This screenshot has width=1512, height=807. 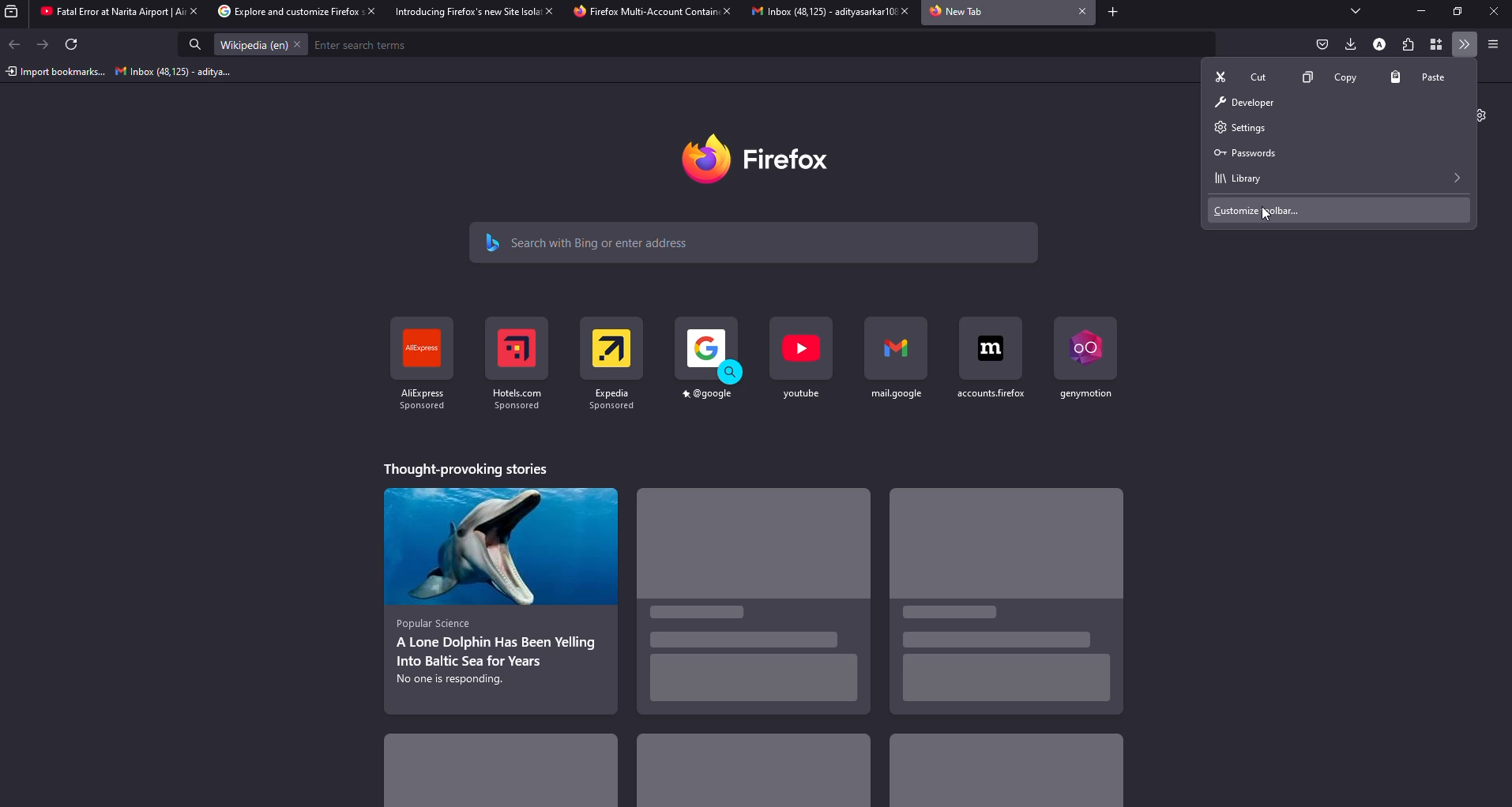 What do you see at coordinates (644, 13) in the screenshot?
I see `tab` at bounding box center [644, 13].